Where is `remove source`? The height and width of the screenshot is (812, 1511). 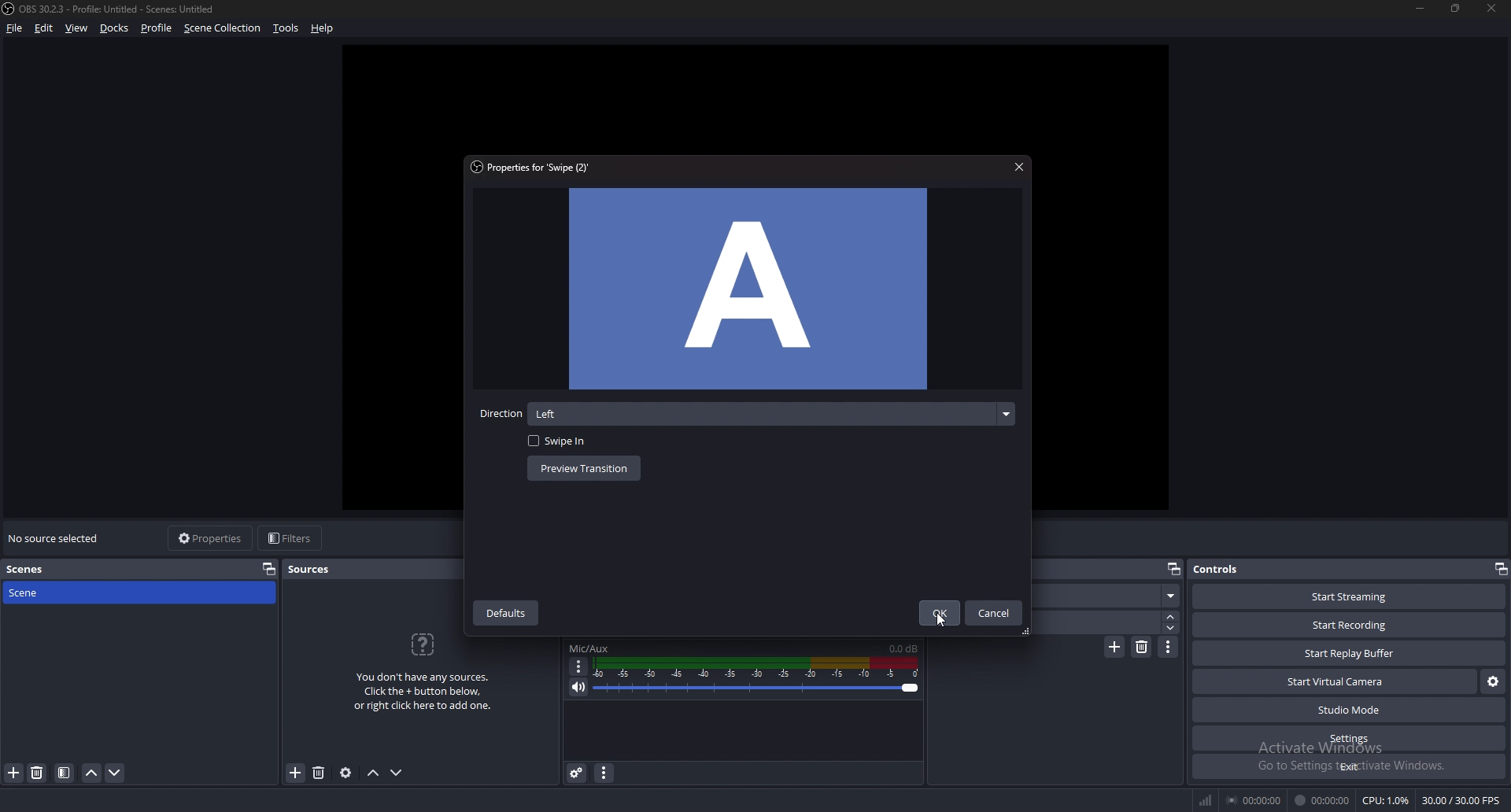
remove source is located at coordinates (319, 773).